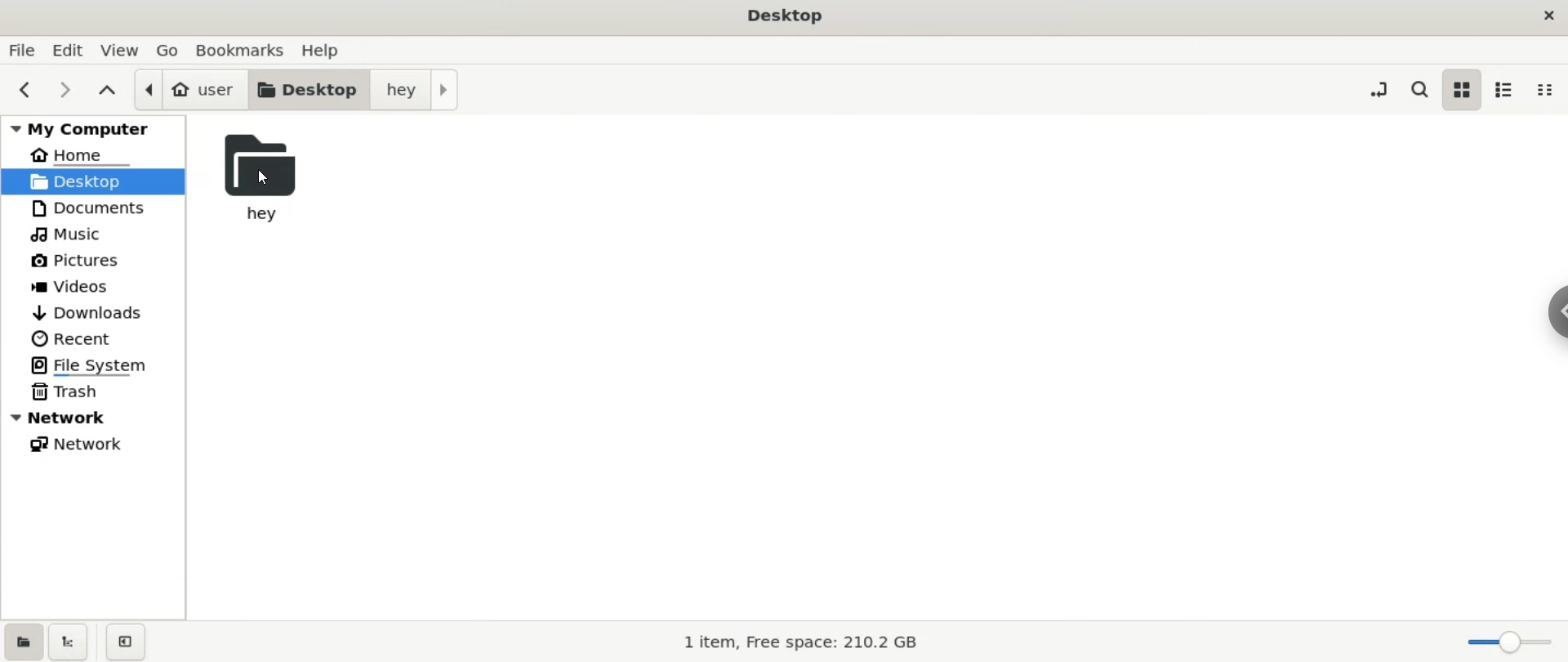 The width and height of the screenshot is (1568, 662). What do you see at coordinates (784, 14) in the screenshot?
I see `desktop` at bounding box center [784, 14].